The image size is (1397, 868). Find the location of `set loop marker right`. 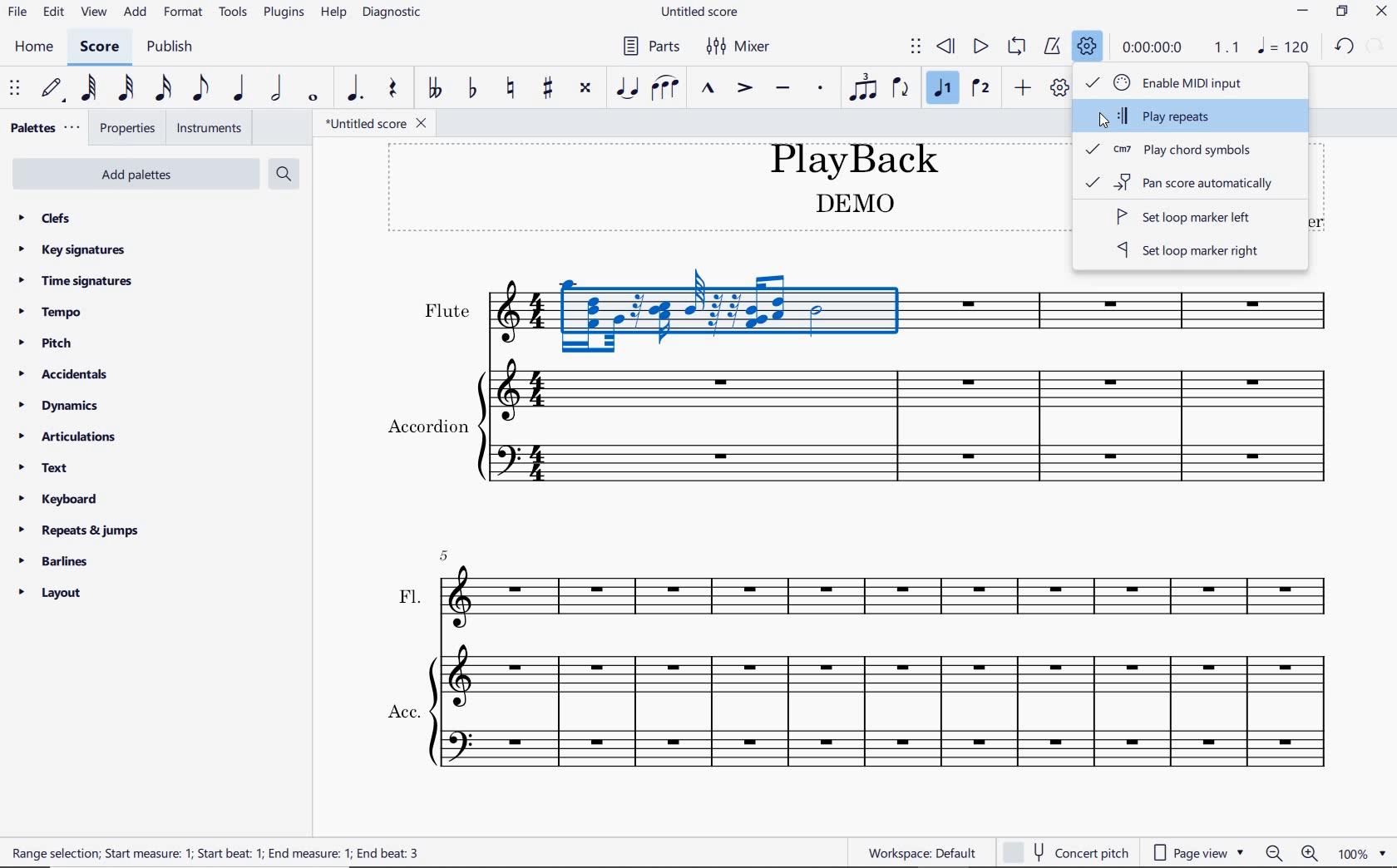

set loop marker right is located at coordinates (1189, 250).